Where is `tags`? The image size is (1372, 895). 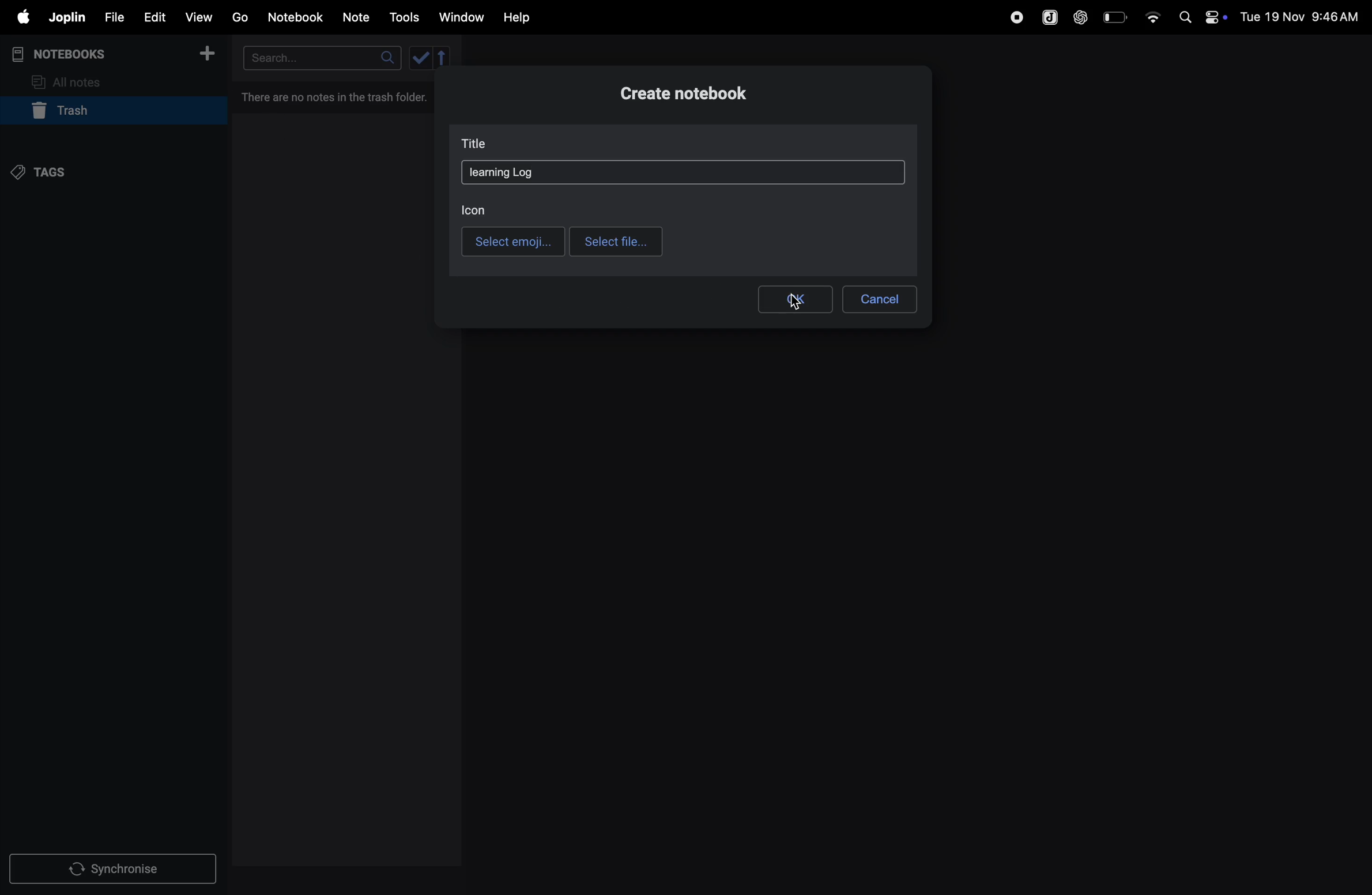
tags is located at coordinates (47, 171).